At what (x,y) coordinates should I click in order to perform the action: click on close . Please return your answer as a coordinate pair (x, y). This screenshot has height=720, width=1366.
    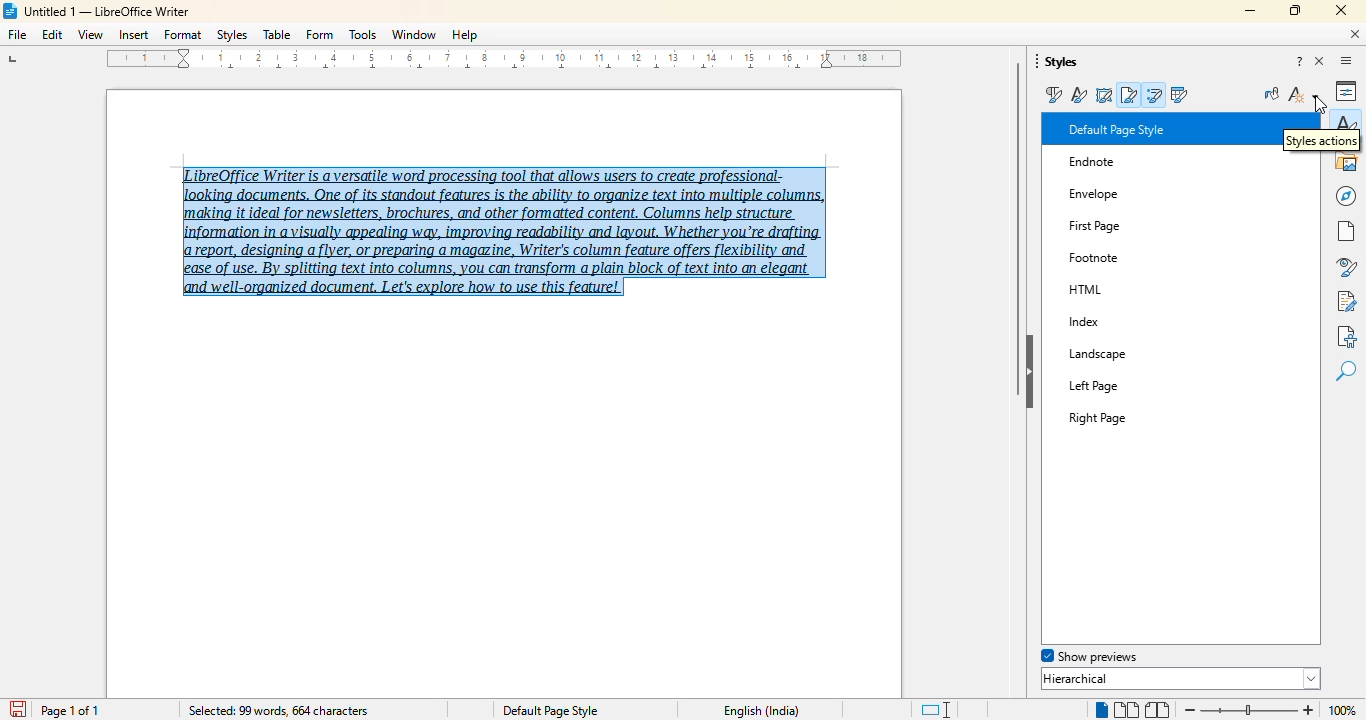
    Looking at the image, I should click on (1341, 10).